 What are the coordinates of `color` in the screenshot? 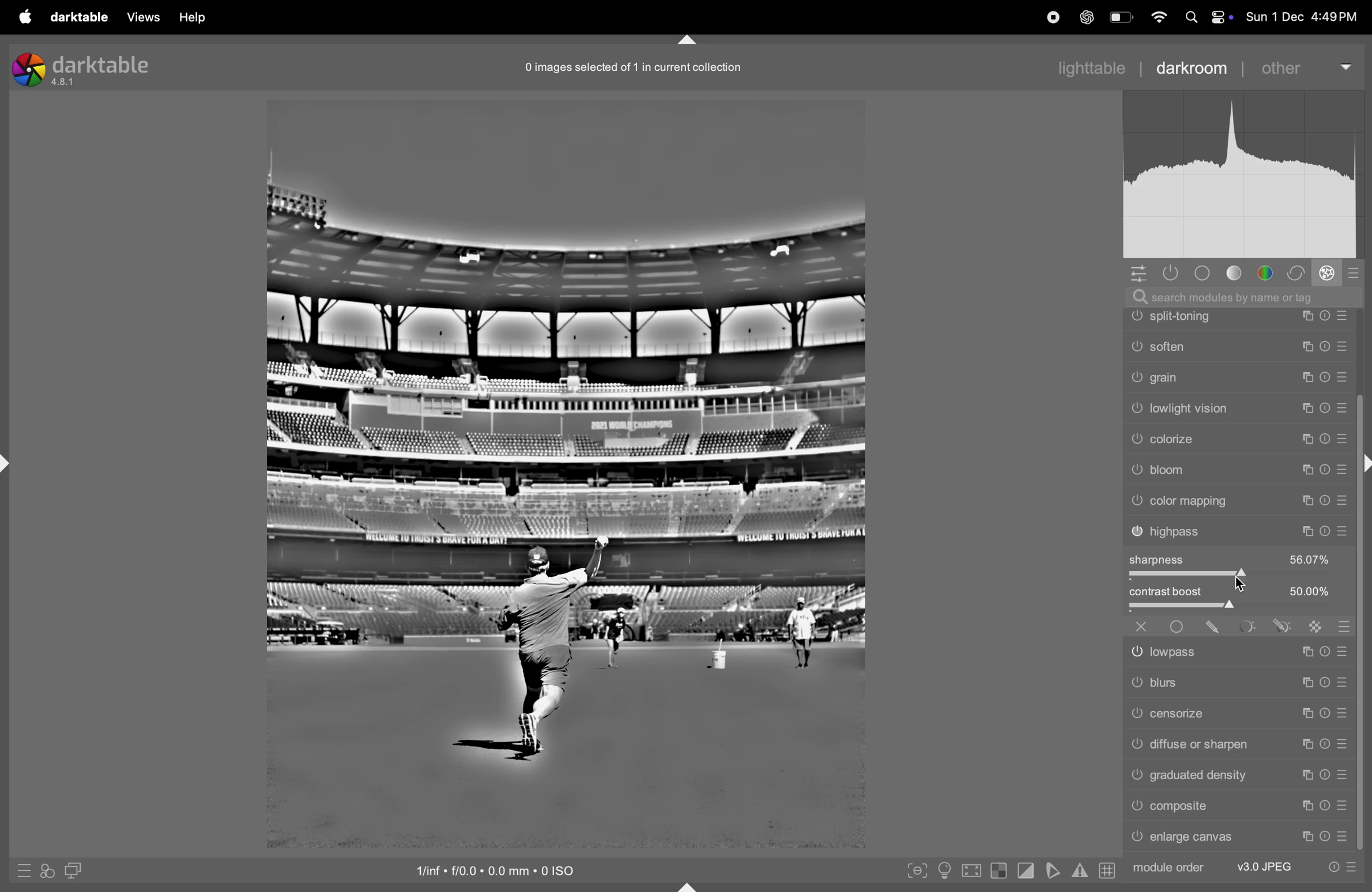 It's located at (1269, 272).